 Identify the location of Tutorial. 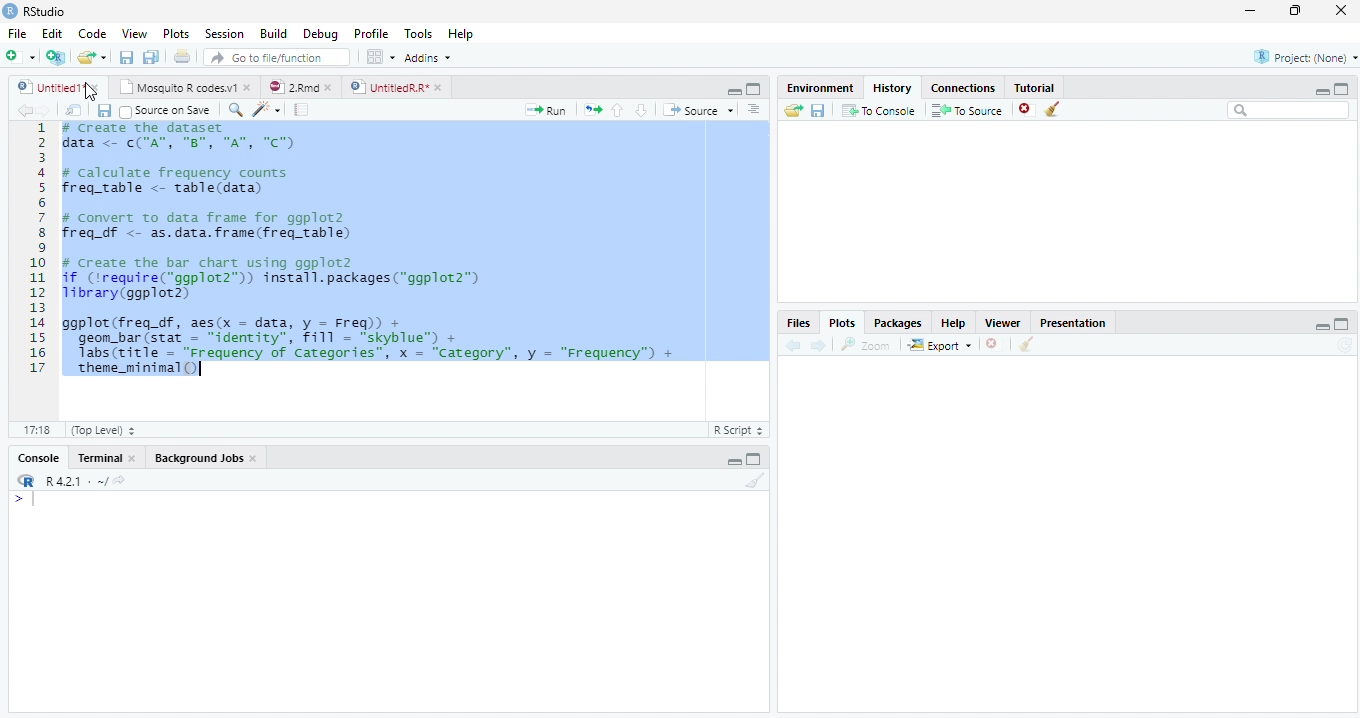
(1035, 87).